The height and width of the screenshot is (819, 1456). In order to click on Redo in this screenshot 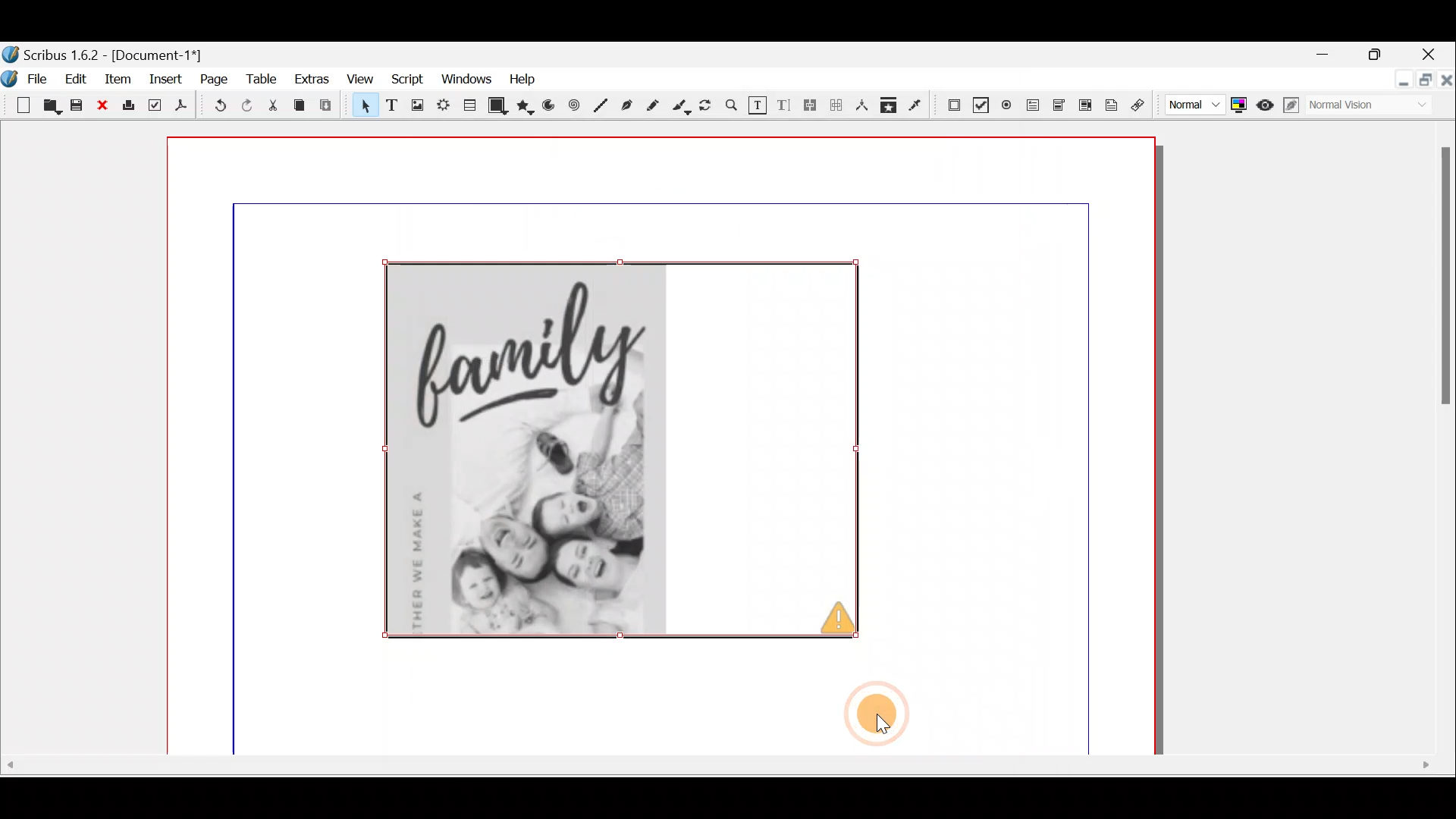, I will do `click(244, 106)`.